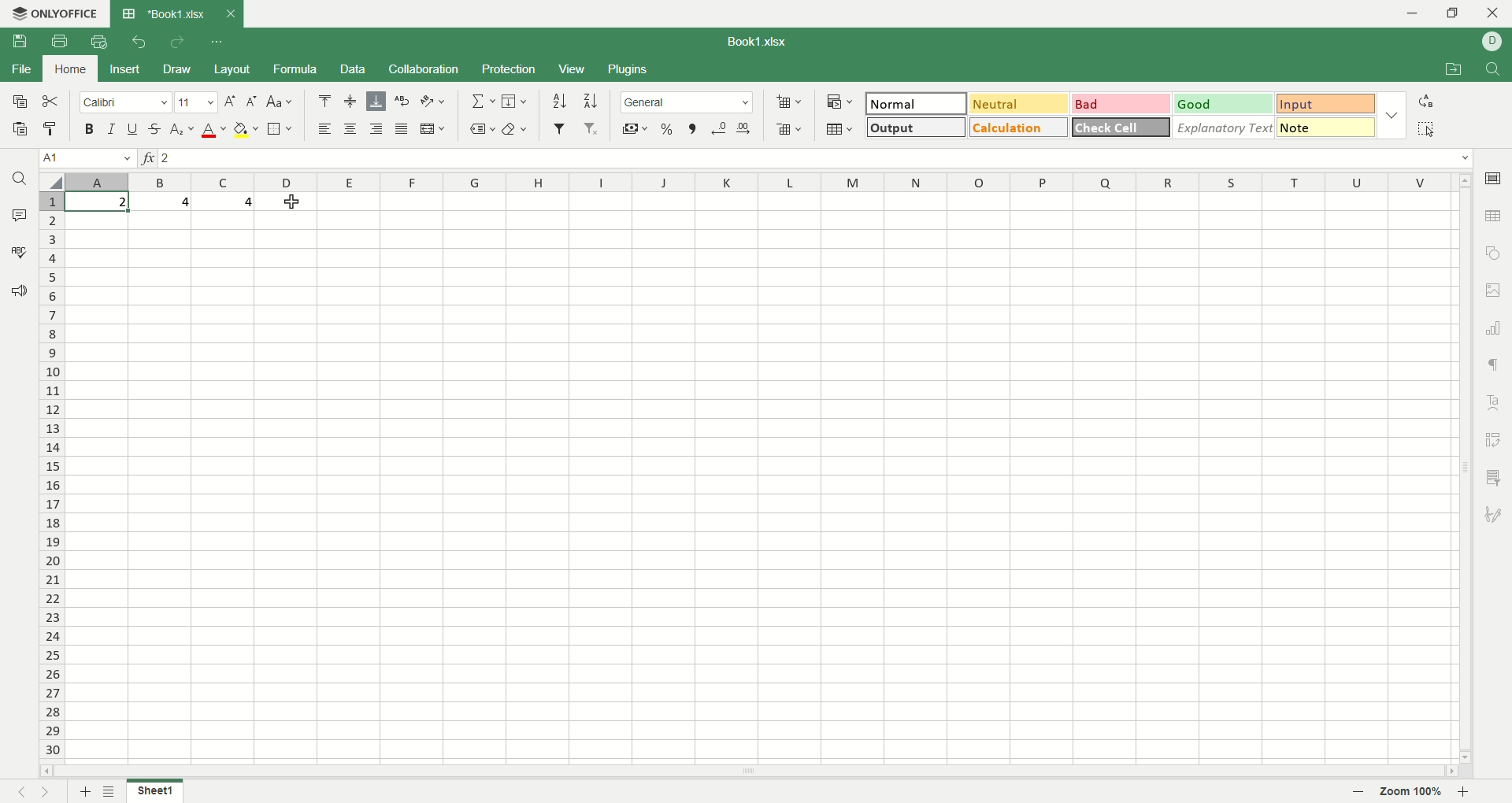  What do you see at coordinates (136, 45) in the screenshot?
I see `undo` at bounding box center [136, 45].